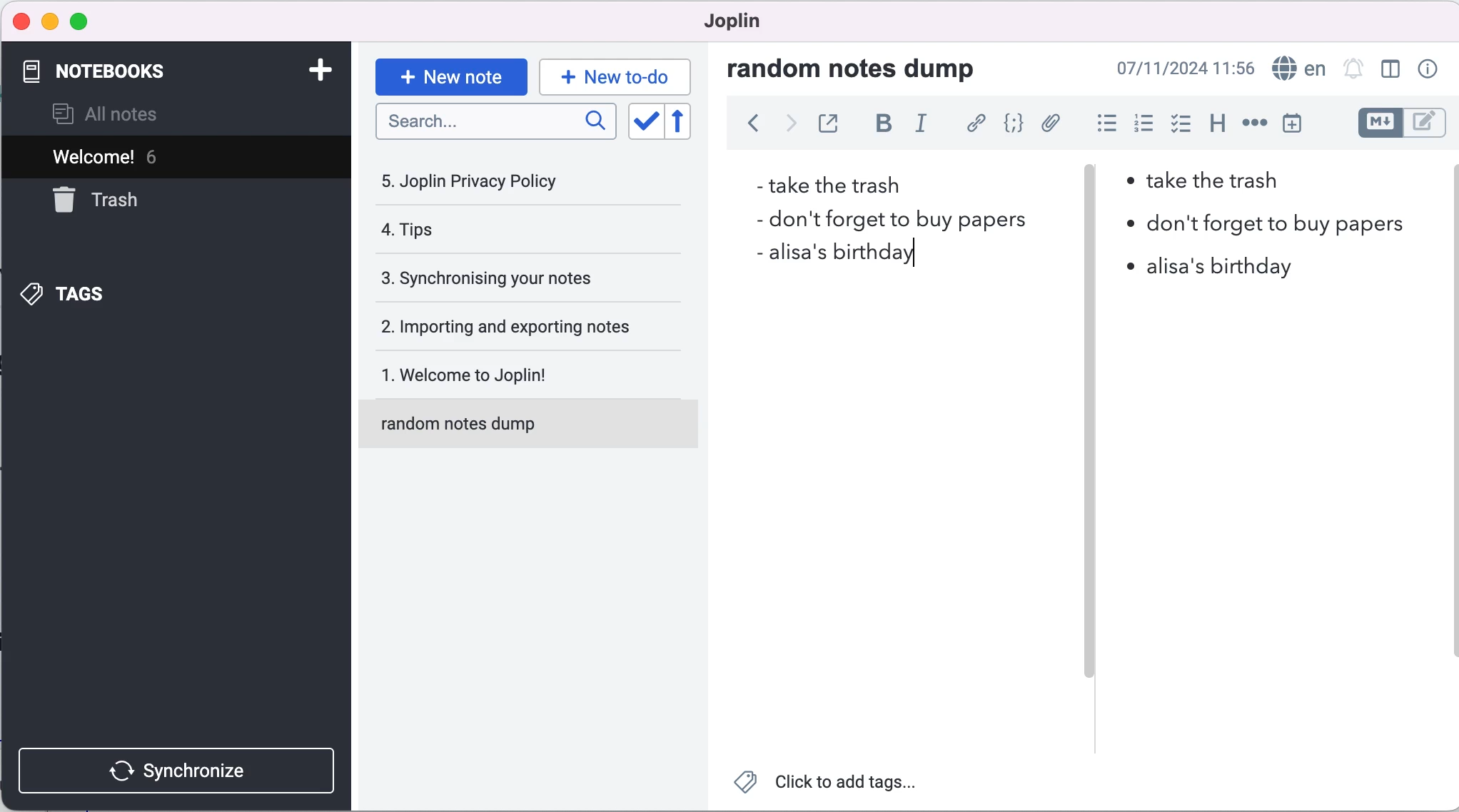 This screenshot has height=812, width=1459. I want to click on bulleted list, so click(1101, 123).